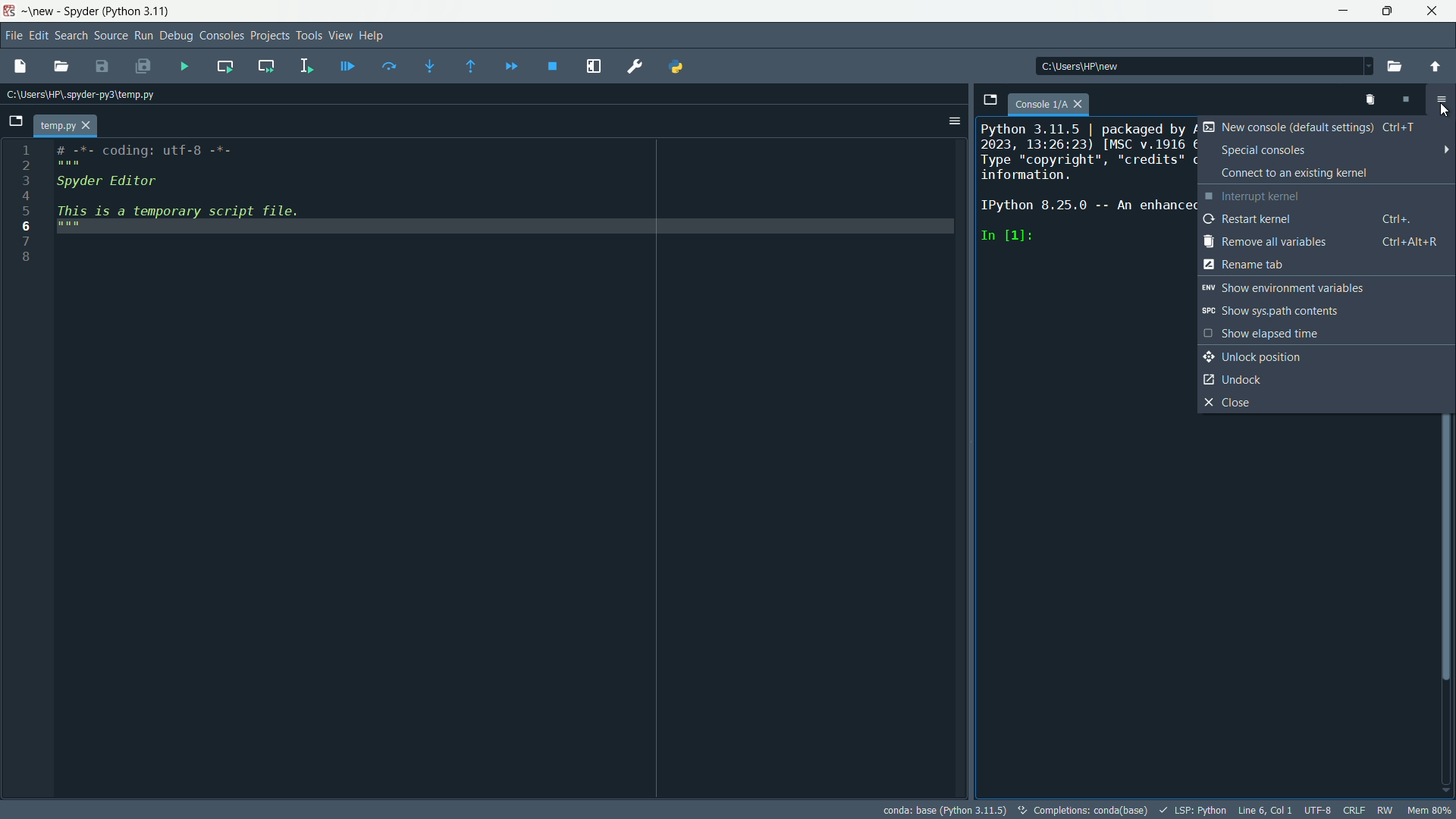 The height and width of the screenshot is (819, 1456). What do you see at coordinates (1318, 811) in the screenshot?
I see `UTF-8` at bounding box center [1318, 811].